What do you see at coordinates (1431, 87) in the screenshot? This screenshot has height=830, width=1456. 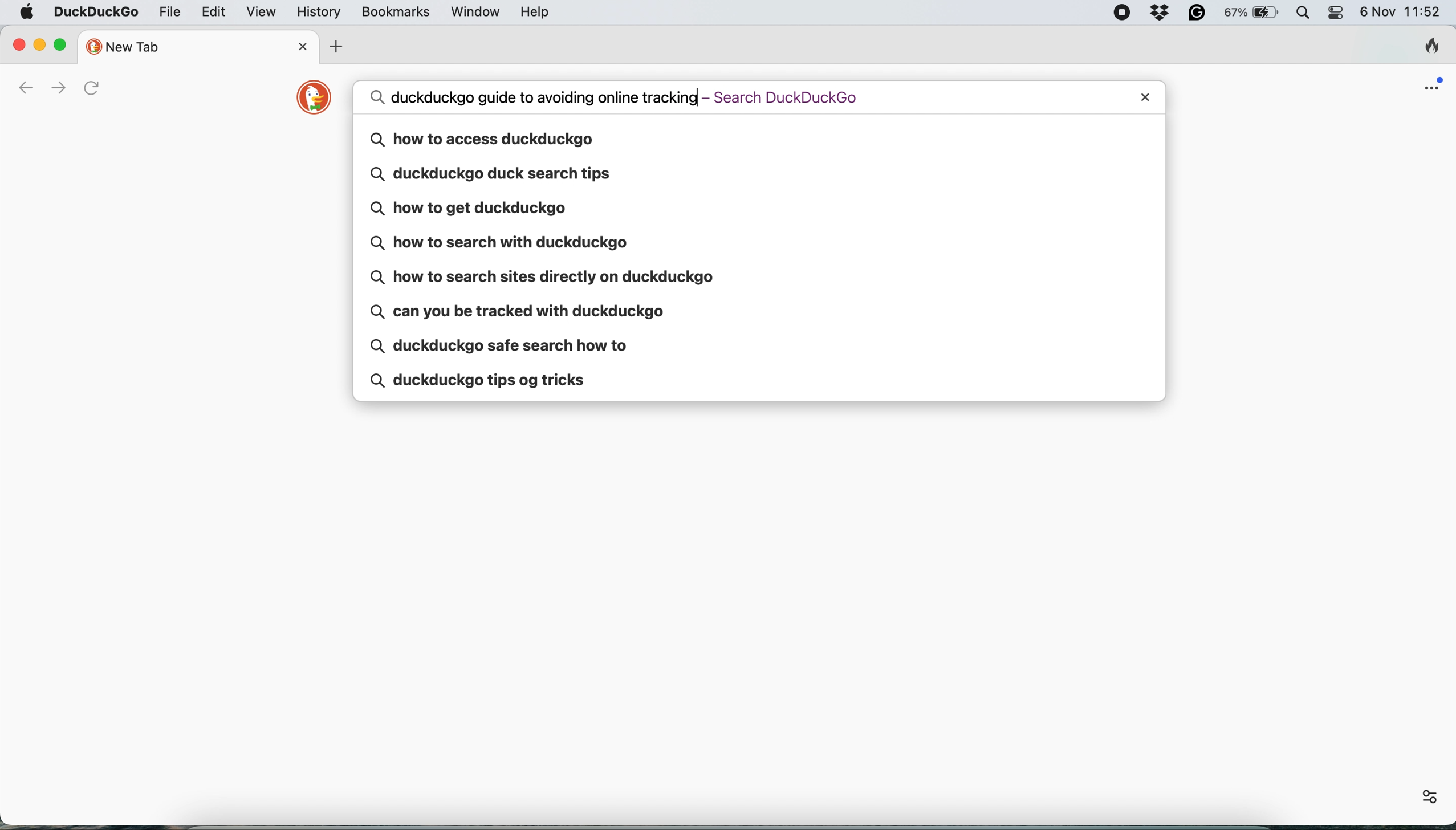 I see `open application menu` at bounding box center [1431, 87].